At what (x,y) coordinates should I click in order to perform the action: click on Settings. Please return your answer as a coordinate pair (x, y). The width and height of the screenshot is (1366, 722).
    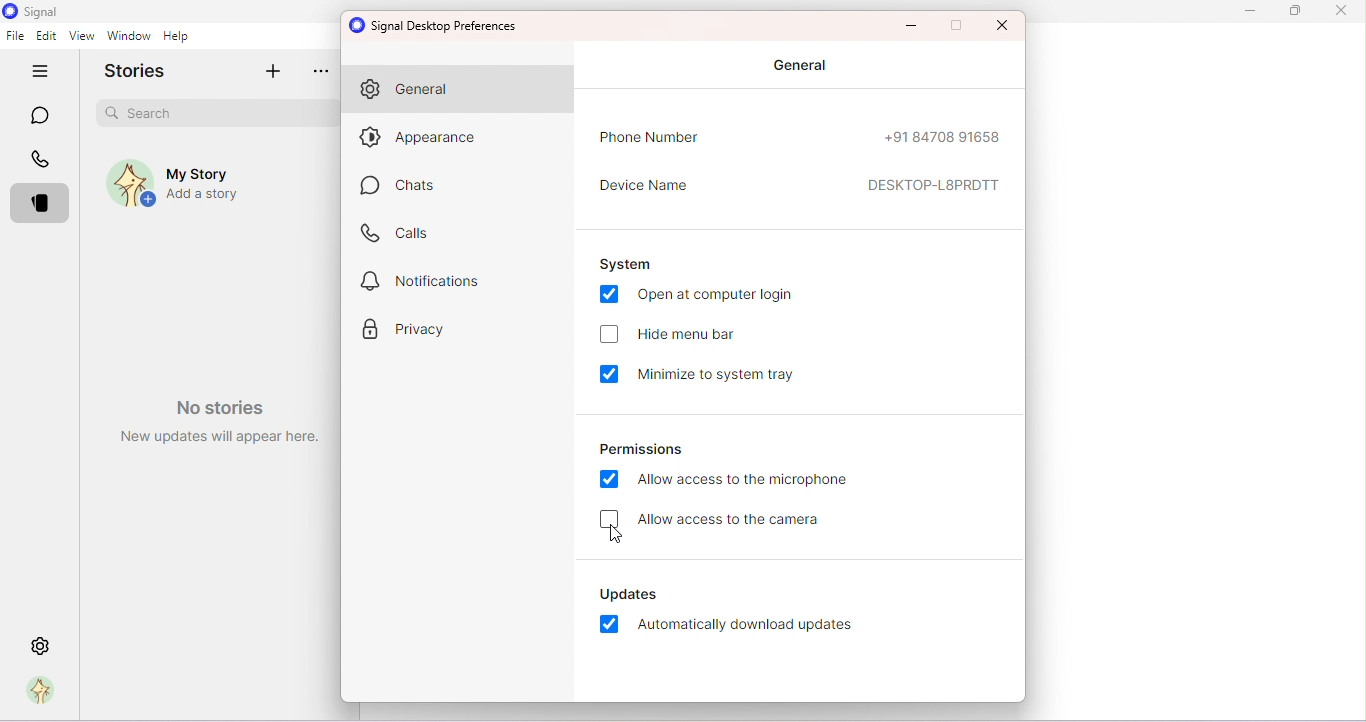
    Looking at the image, I should click on (40, 647).